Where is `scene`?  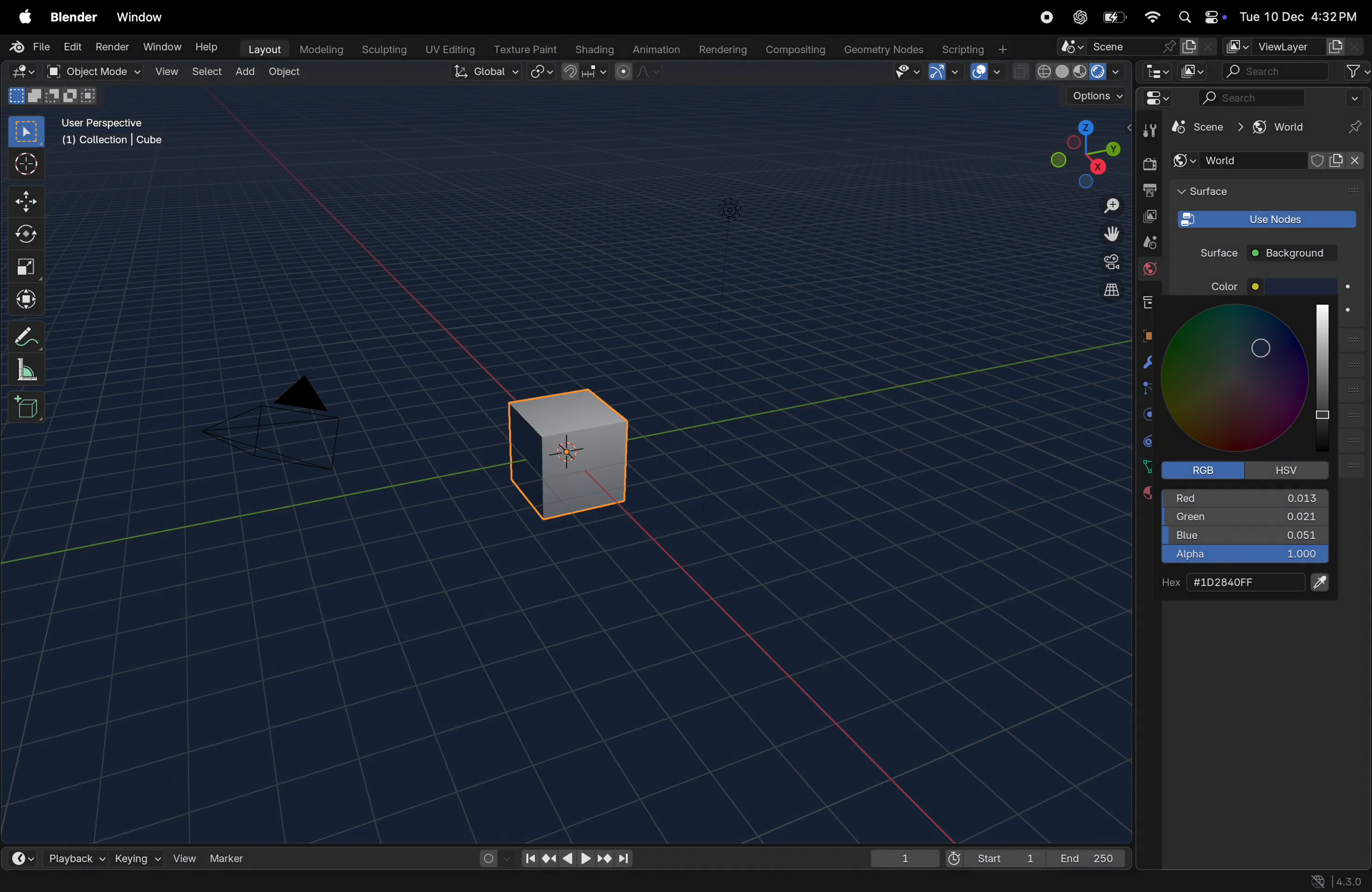
scene is located at coordinates (1143, 242).